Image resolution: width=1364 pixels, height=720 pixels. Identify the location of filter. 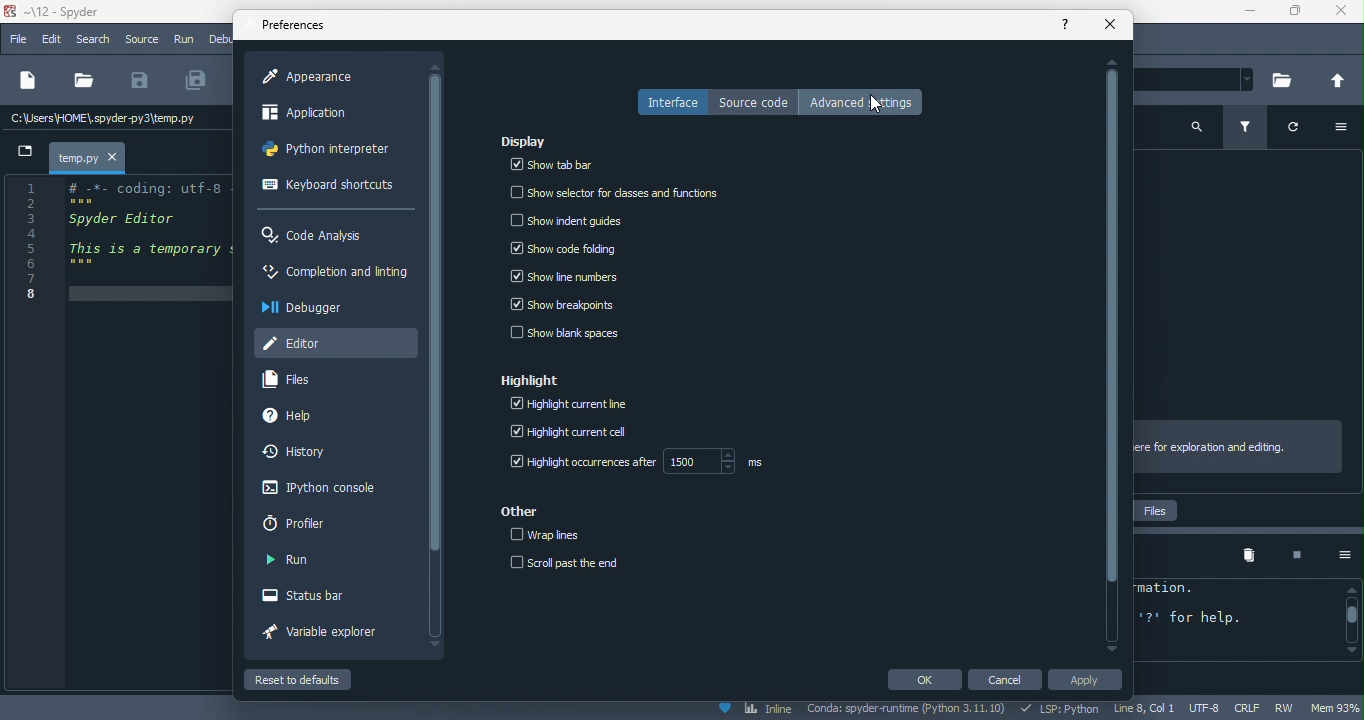
(1249, 129).